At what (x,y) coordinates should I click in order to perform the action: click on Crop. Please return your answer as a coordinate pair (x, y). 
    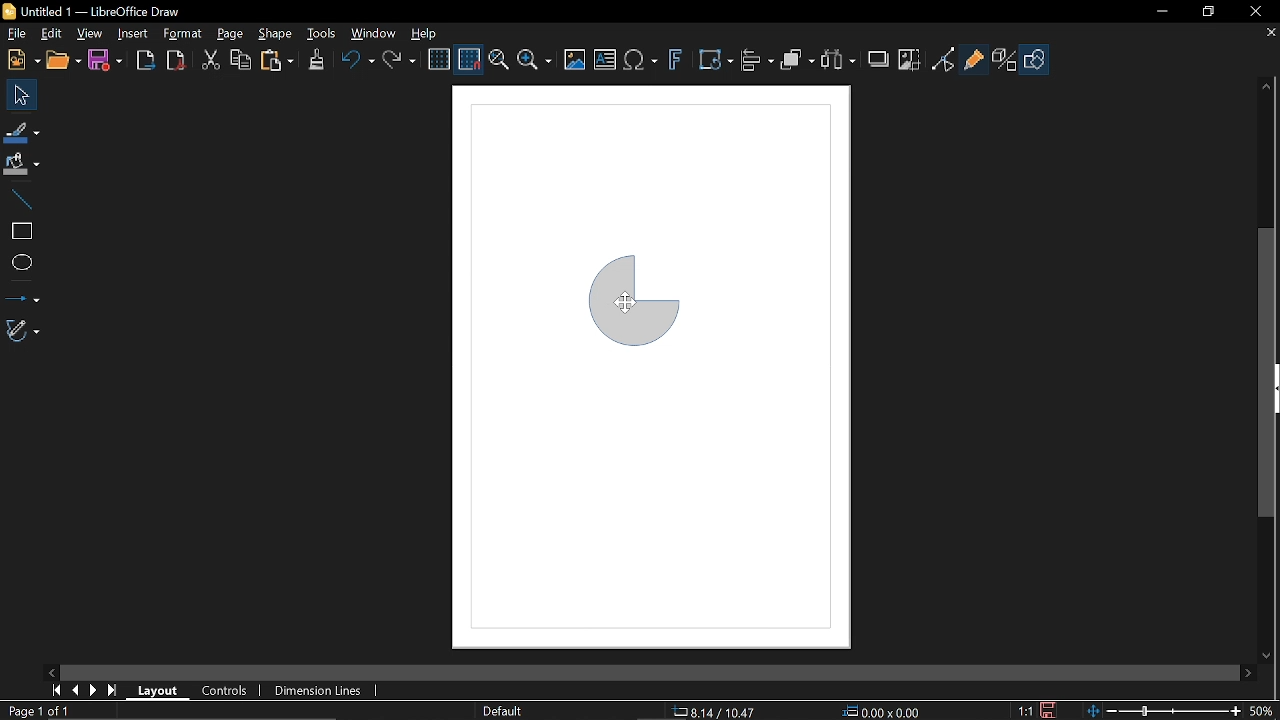
    Looking at the image, I should click on (909, 60).